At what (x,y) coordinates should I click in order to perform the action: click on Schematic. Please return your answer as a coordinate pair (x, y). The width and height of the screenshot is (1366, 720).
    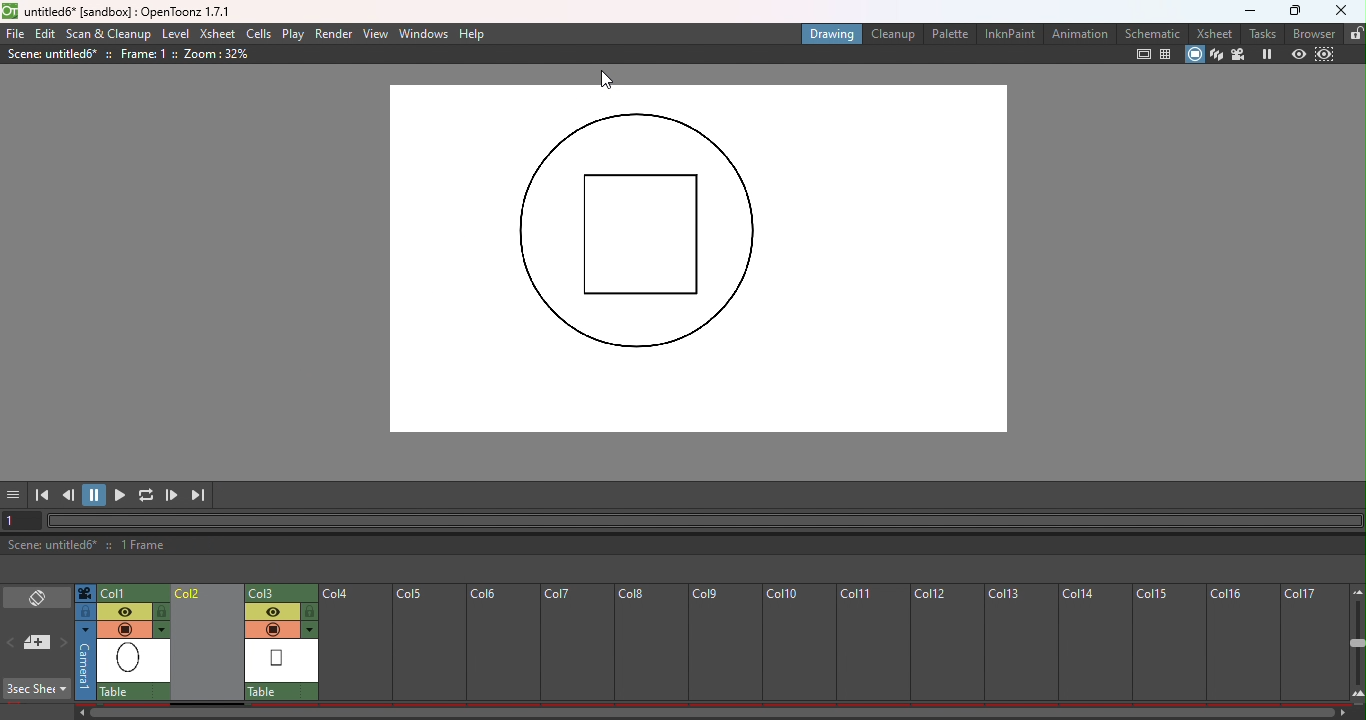
    Looking at the image, I should click on (1152, 32).